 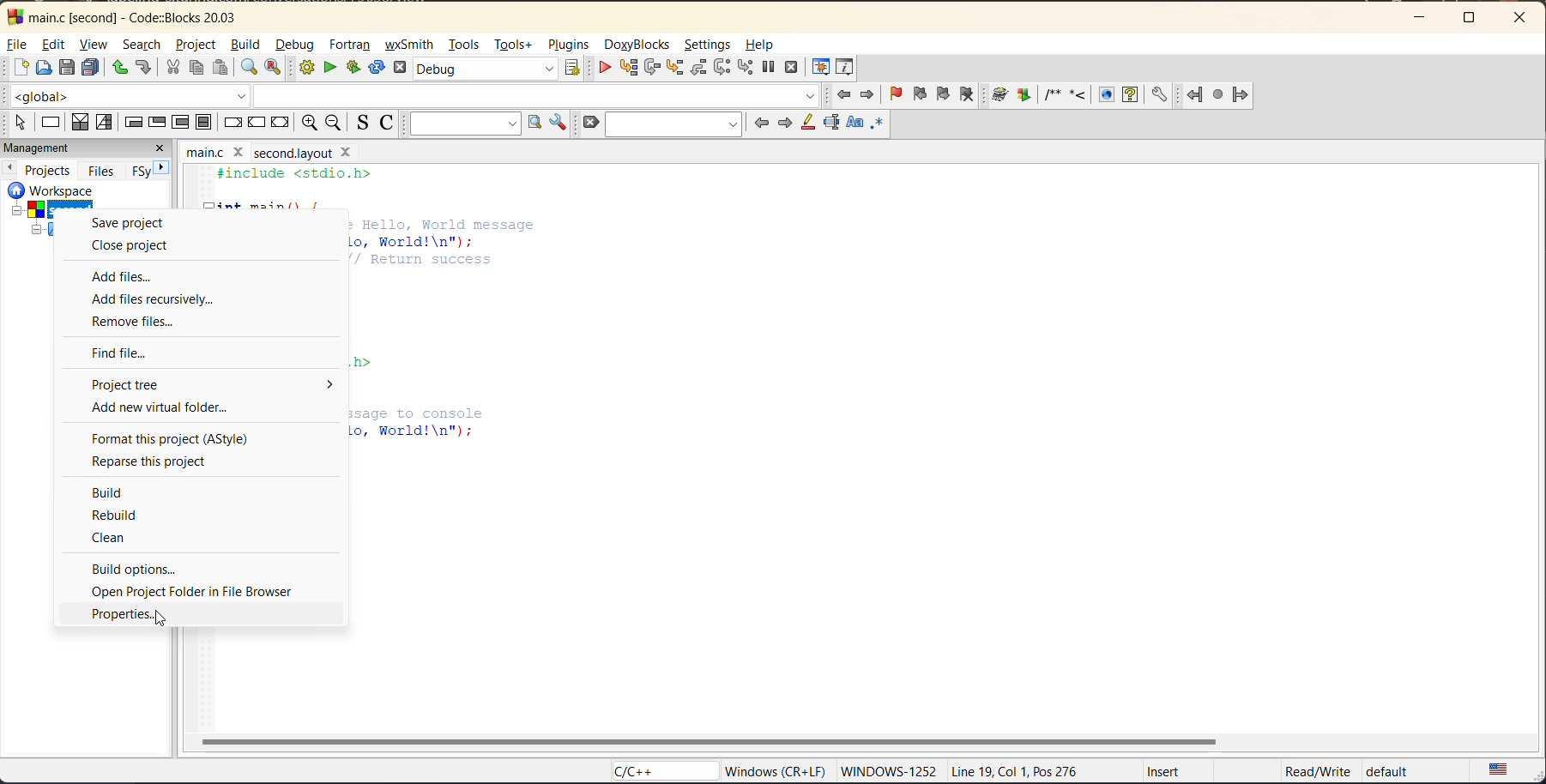 I want to click on abort, so click(x=594, y=121).